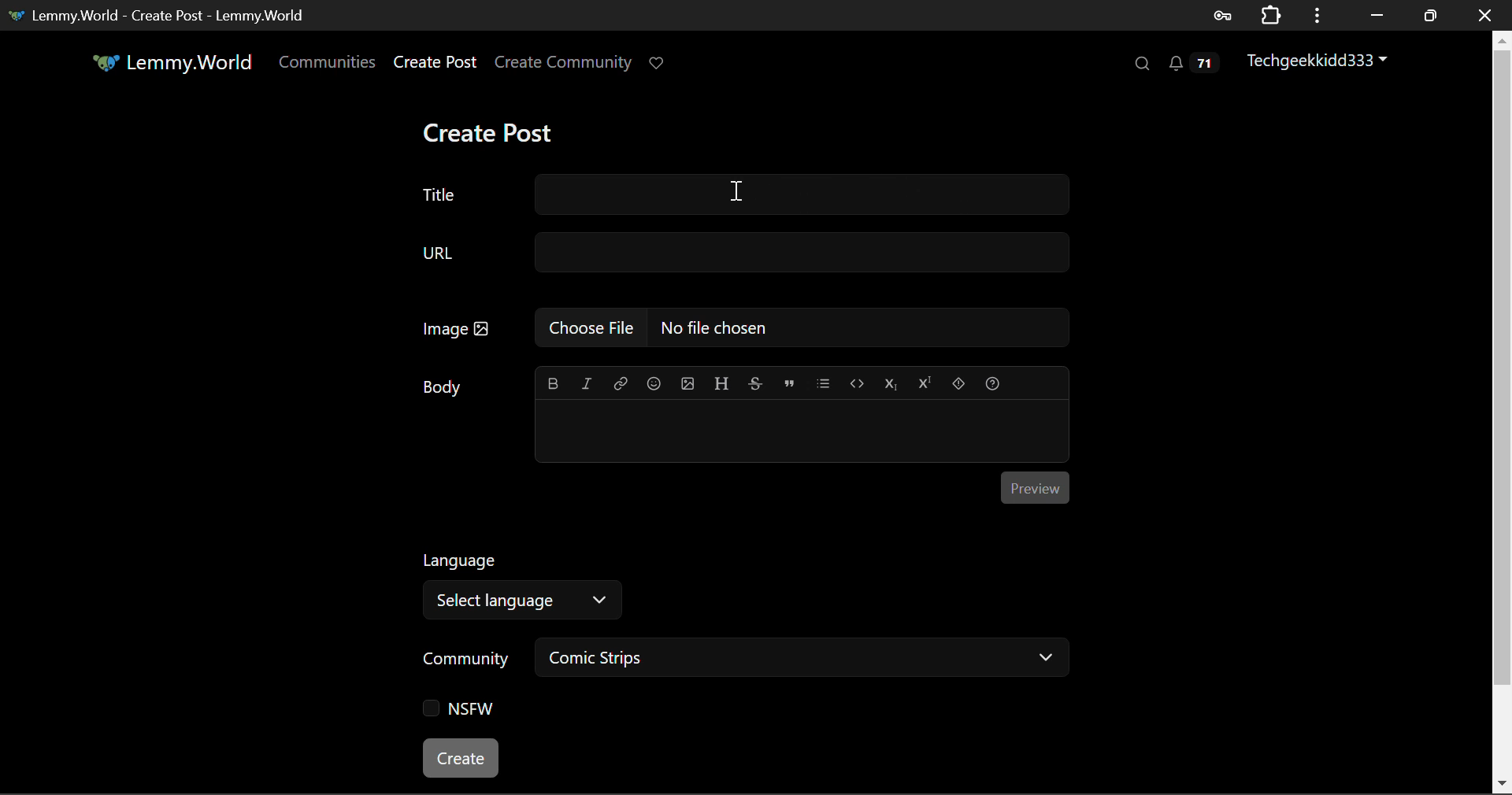 The width and height of the screenshot is (1512, 795). What do you see at coordinates (1314, 62) in the screenshot?
I see `Techgeekkidd333` at bounding box center [1314, 62].